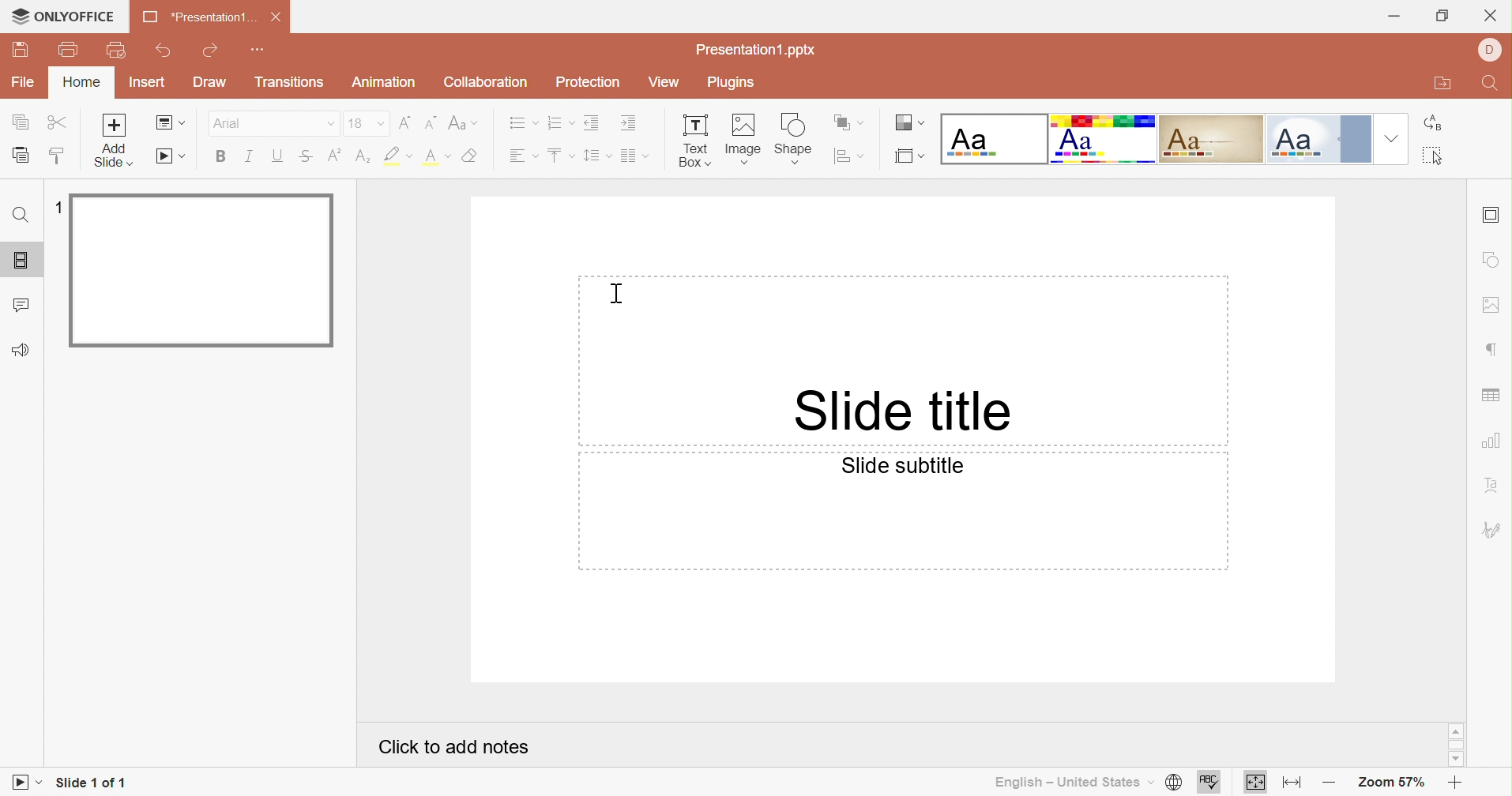 This screenshot has height=796, width=1512. Describe the element at coordinates (335, 157) in the screenshot. I see `Subscript` at that location.